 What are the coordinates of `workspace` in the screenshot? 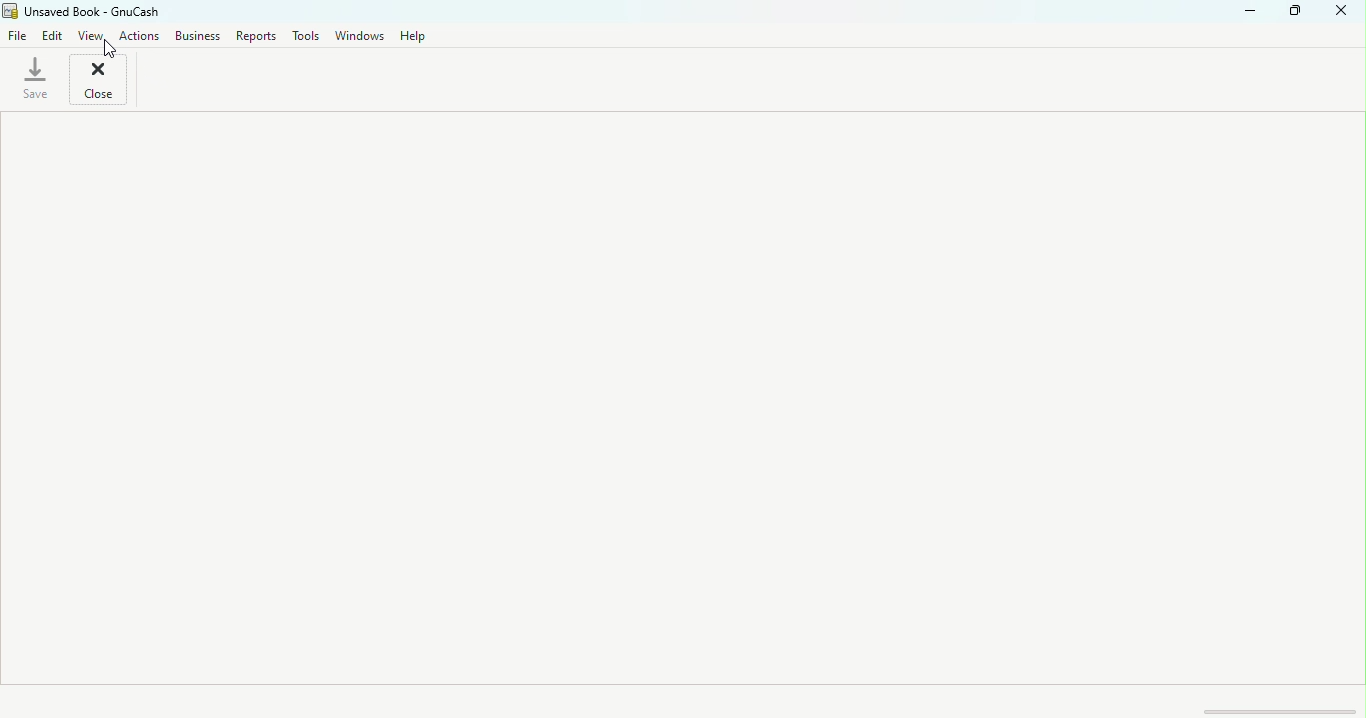 It's located at (679, 397).